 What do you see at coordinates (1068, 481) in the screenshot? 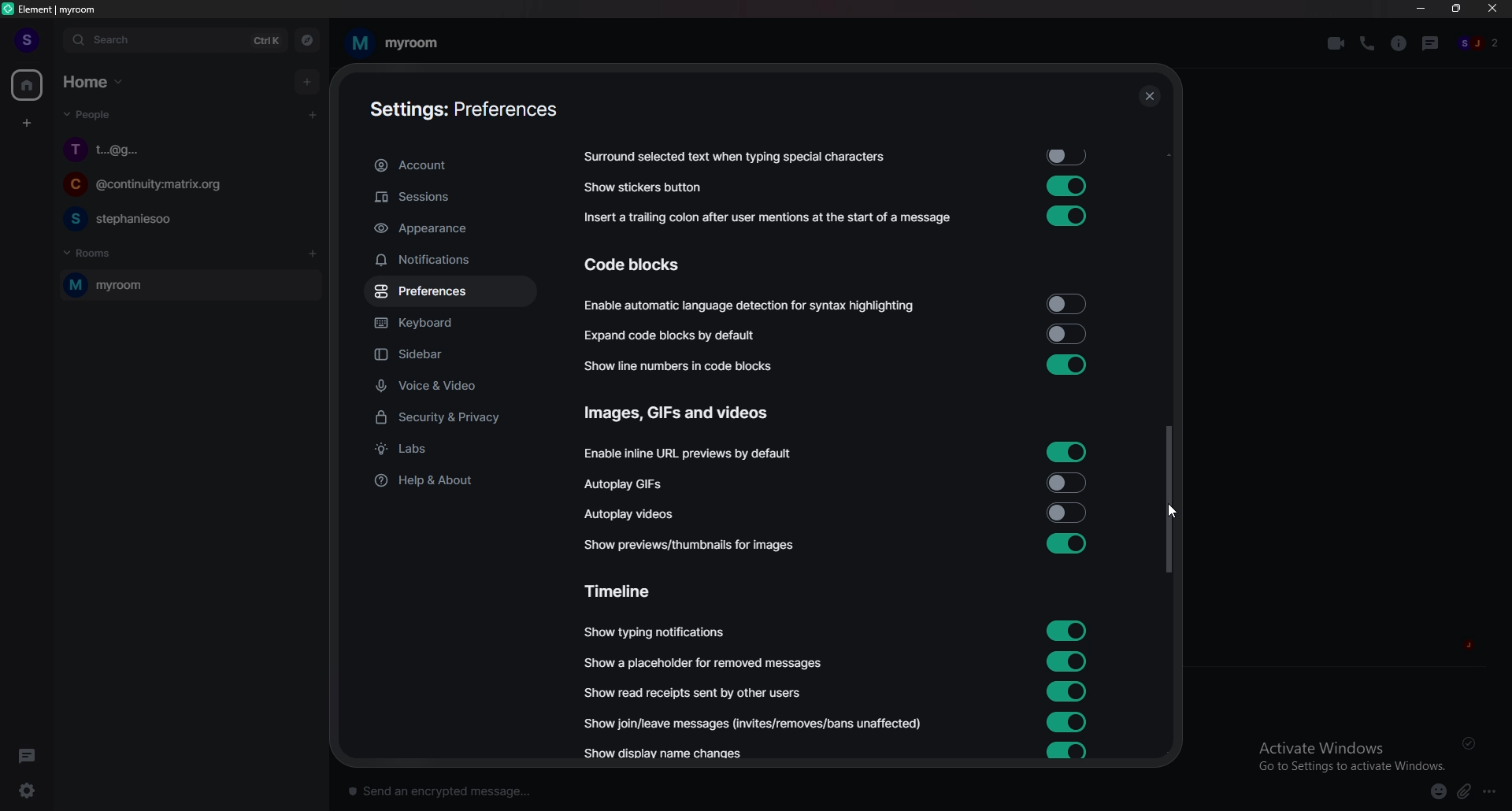
I see `toggle` at bounding box center [1068, 481].